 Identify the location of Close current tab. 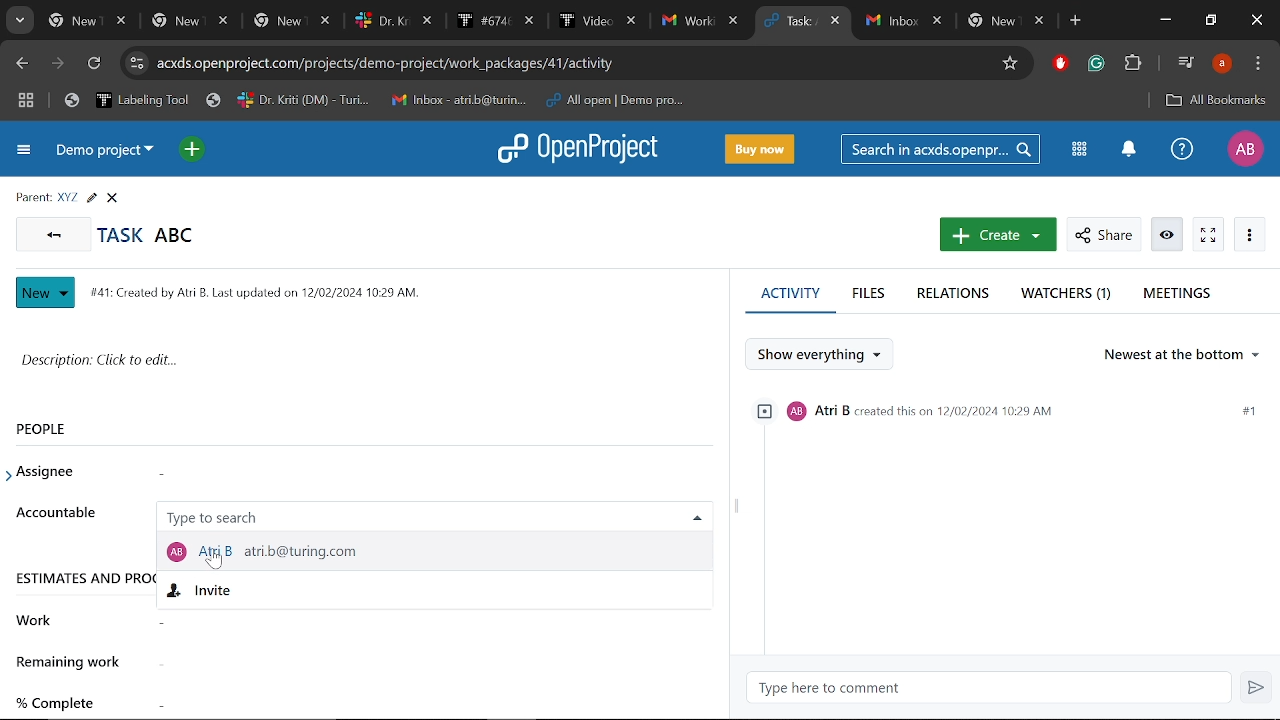
(838, 23).